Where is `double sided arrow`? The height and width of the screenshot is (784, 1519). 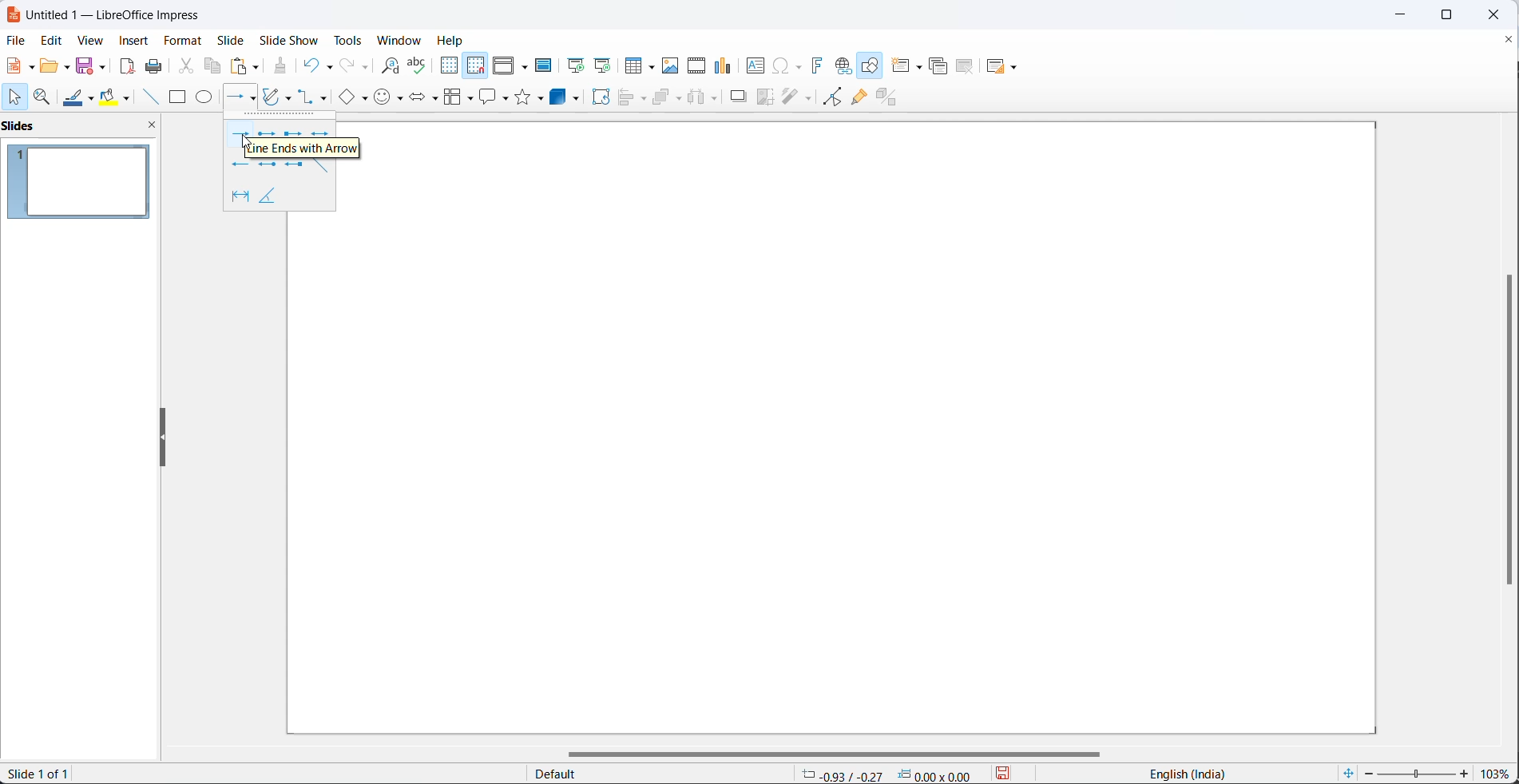 double sided arrow is located at coordinates (319, 133).